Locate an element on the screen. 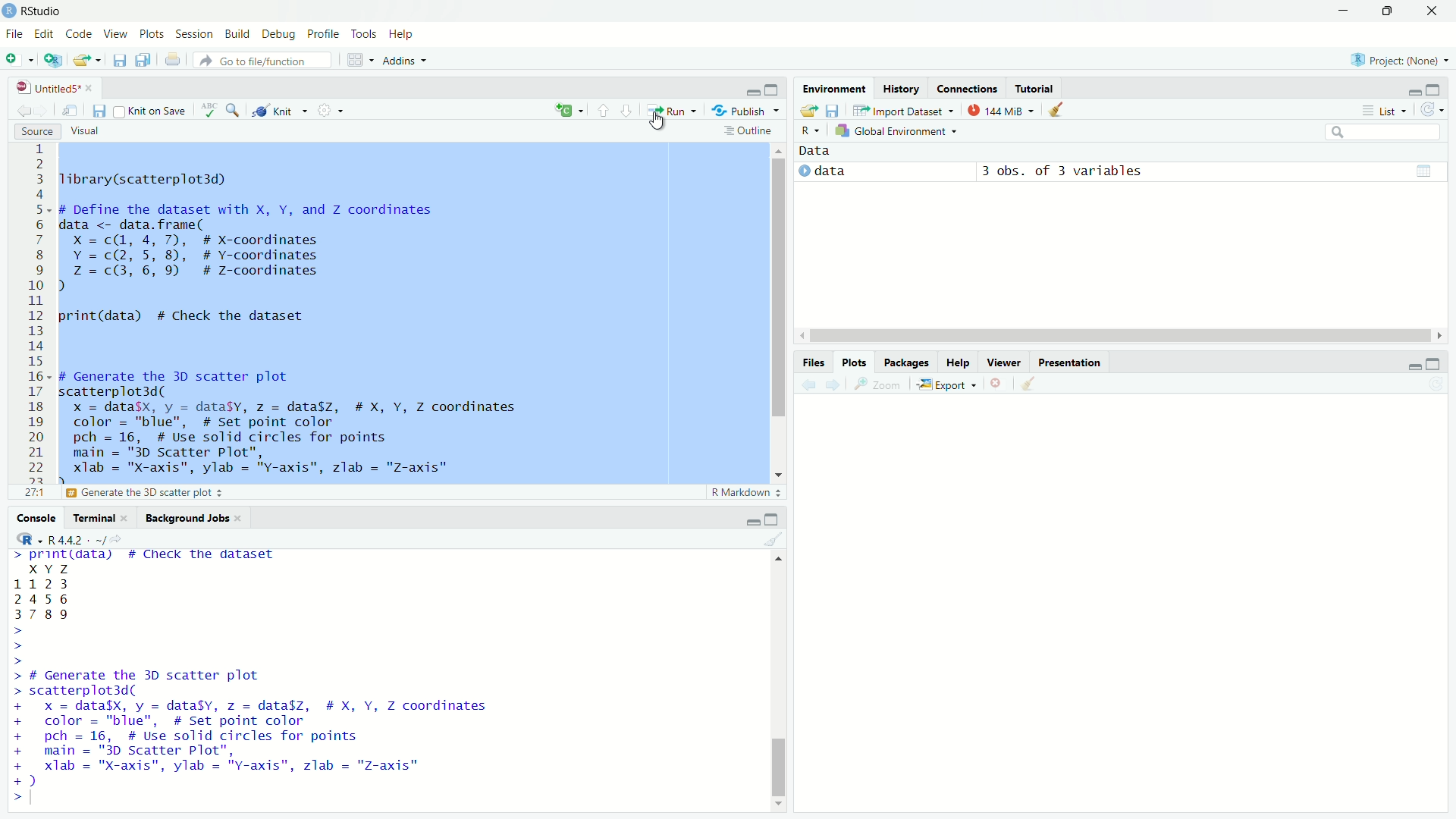 The height and width of the screenshot is (819, 1456). clear objects from the workspace is located at coordinates (1057, 111).